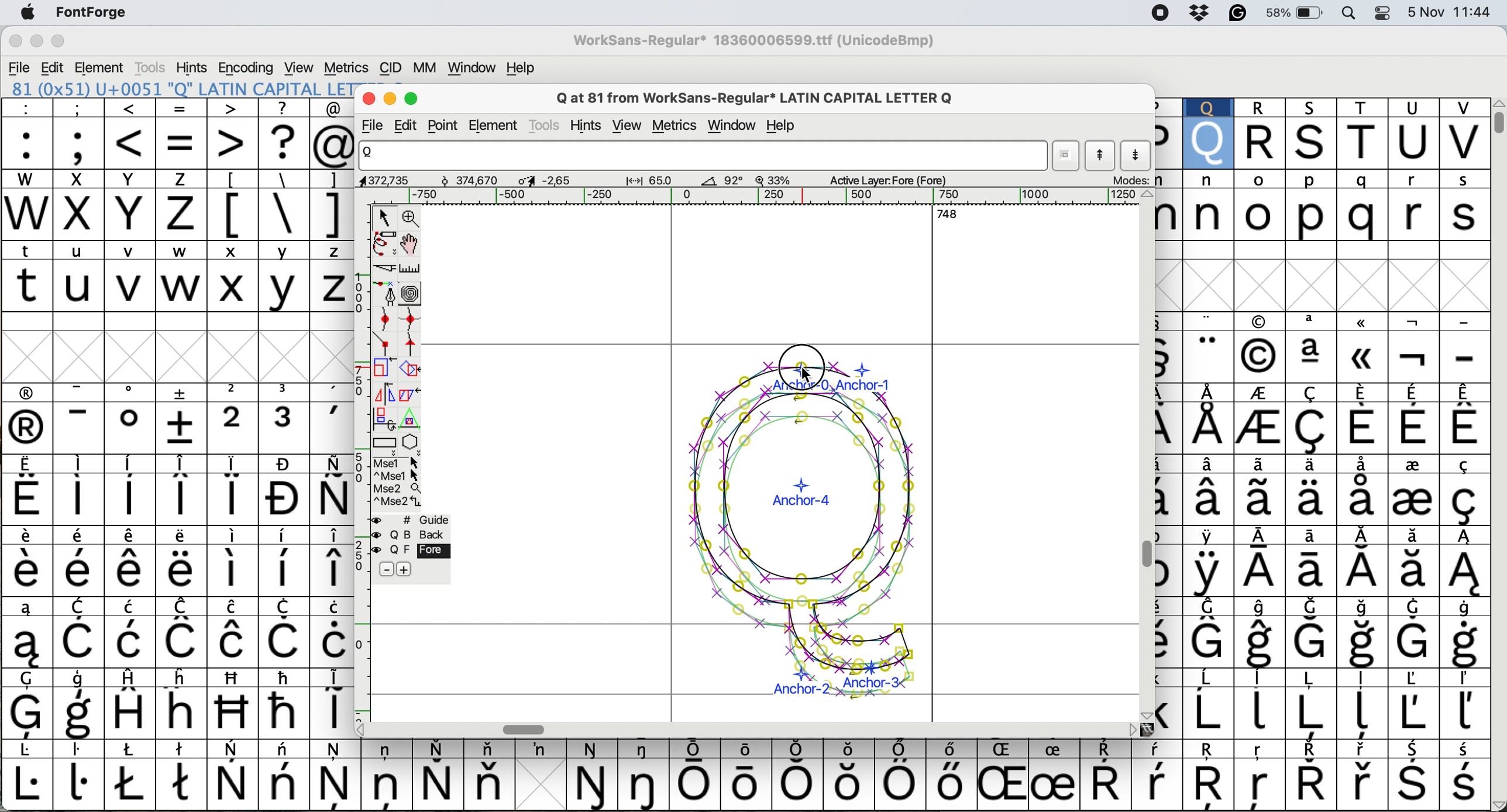 The width and height of the screenshot is (1507, 812). I want to click on vertical scroll bar, so click(1494, 121).